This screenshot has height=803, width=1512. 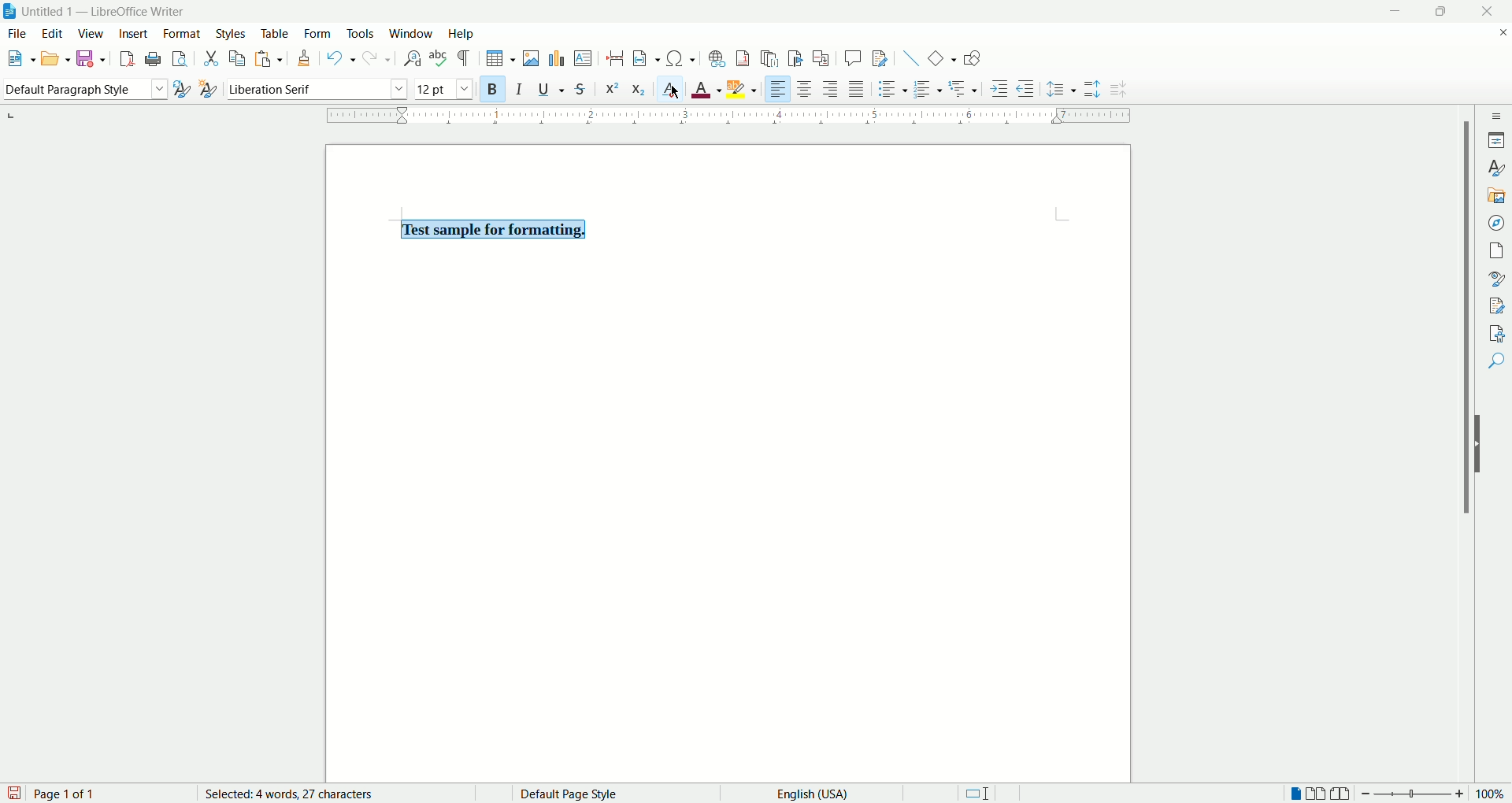 I want to click on decrease line spacing, so click(x=1117, y=90).